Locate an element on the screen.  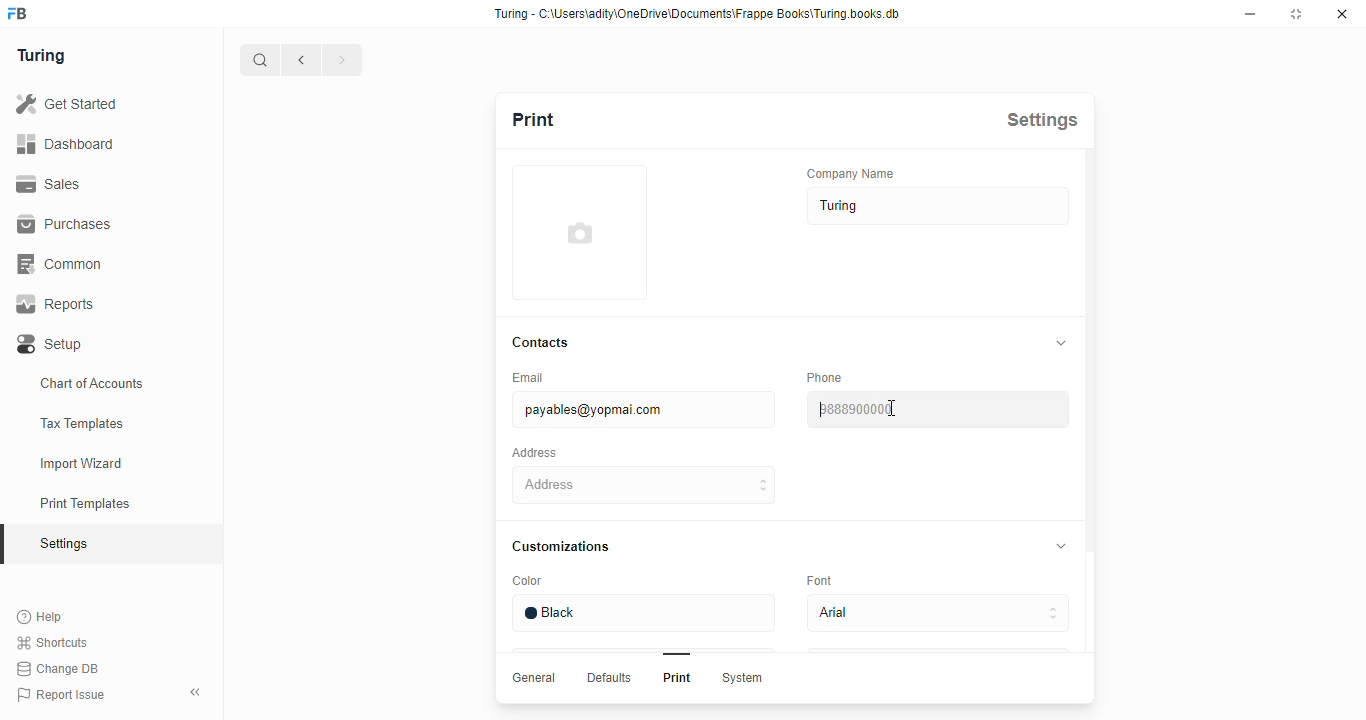
collapse is located at coordinates (1057, 546).